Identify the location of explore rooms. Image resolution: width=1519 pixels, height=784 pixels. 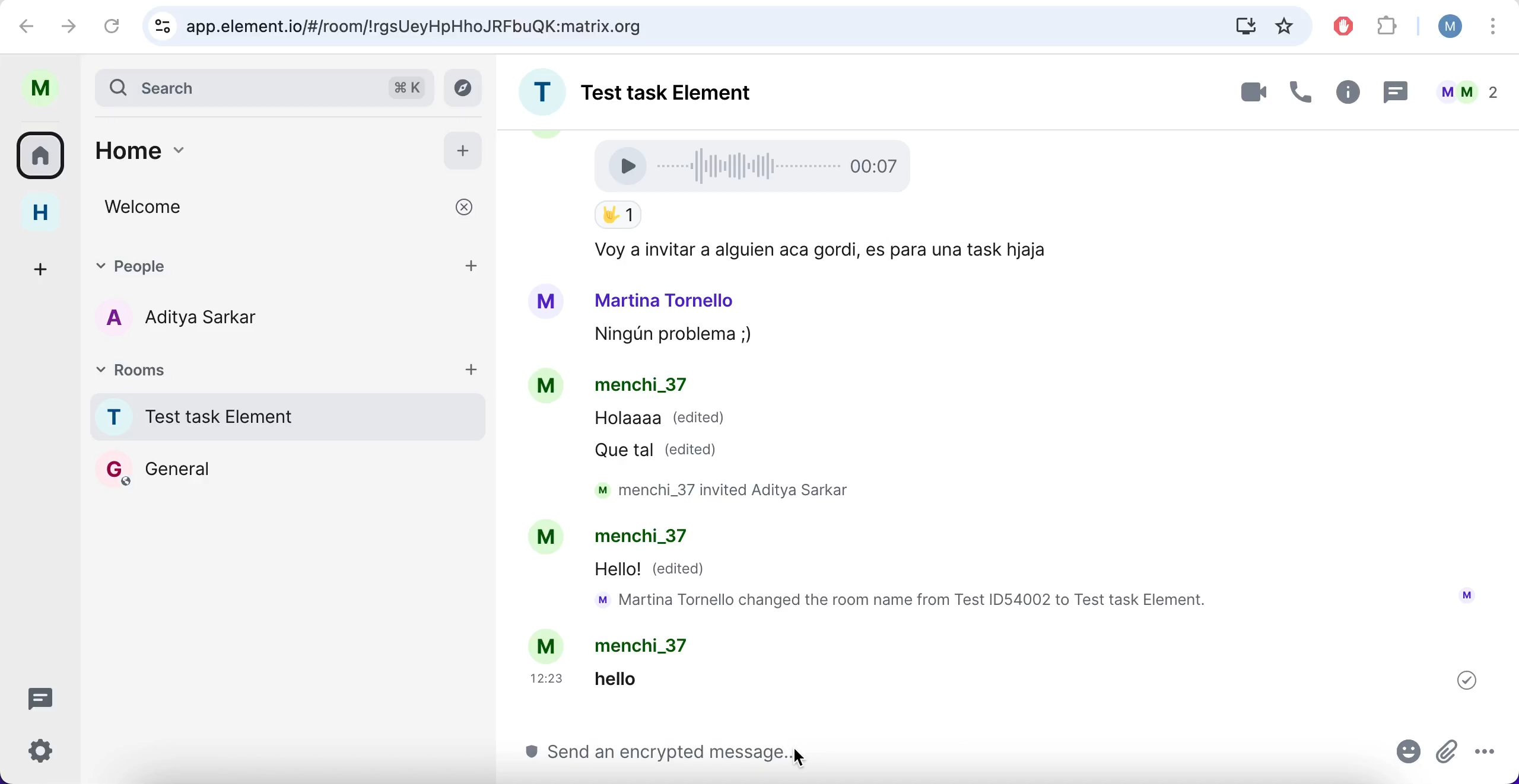
(466, 88).